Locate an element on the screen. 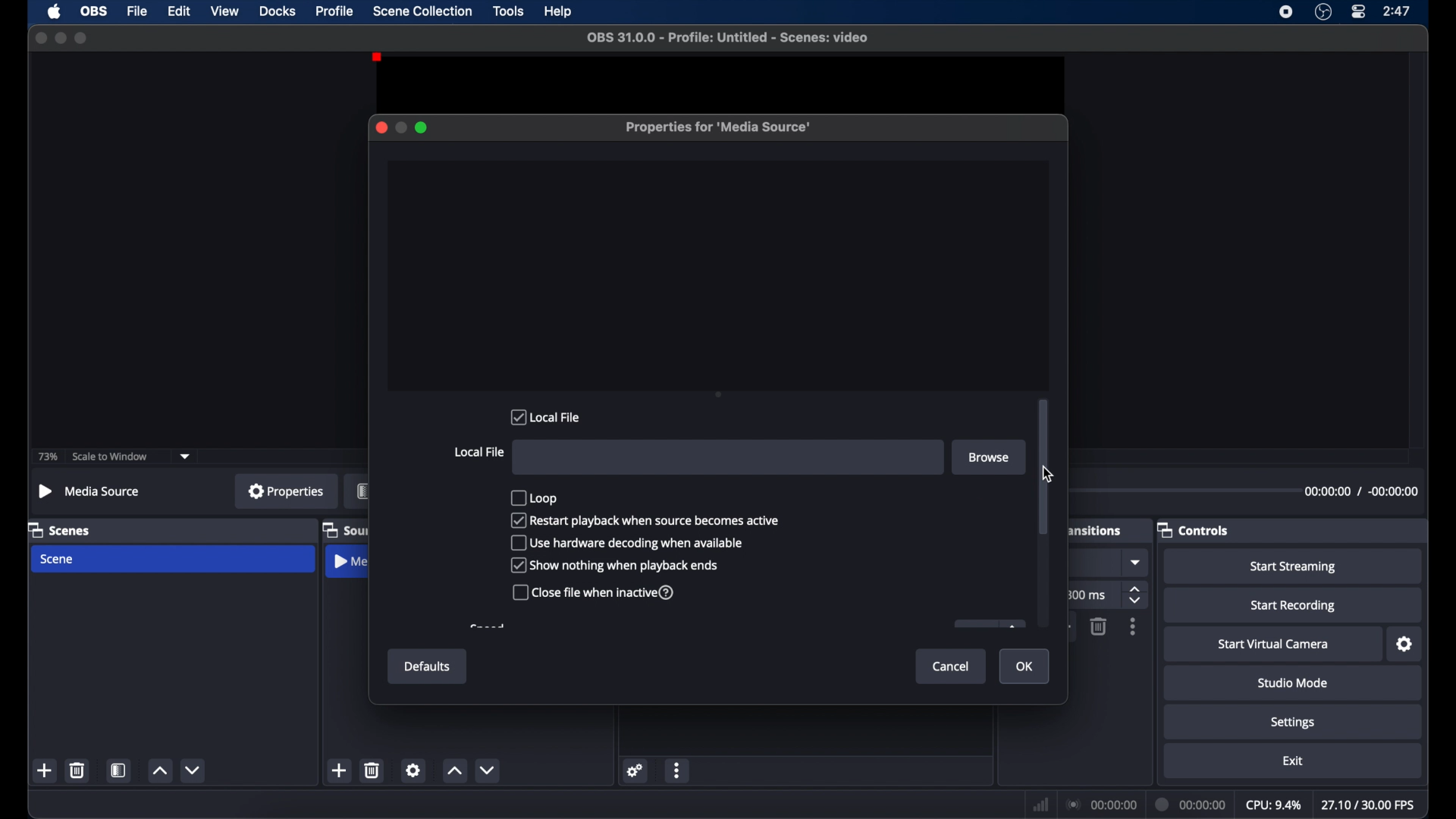 This screenshot has height=819, width=1456. no source selected is located at coordinates (89, 491).